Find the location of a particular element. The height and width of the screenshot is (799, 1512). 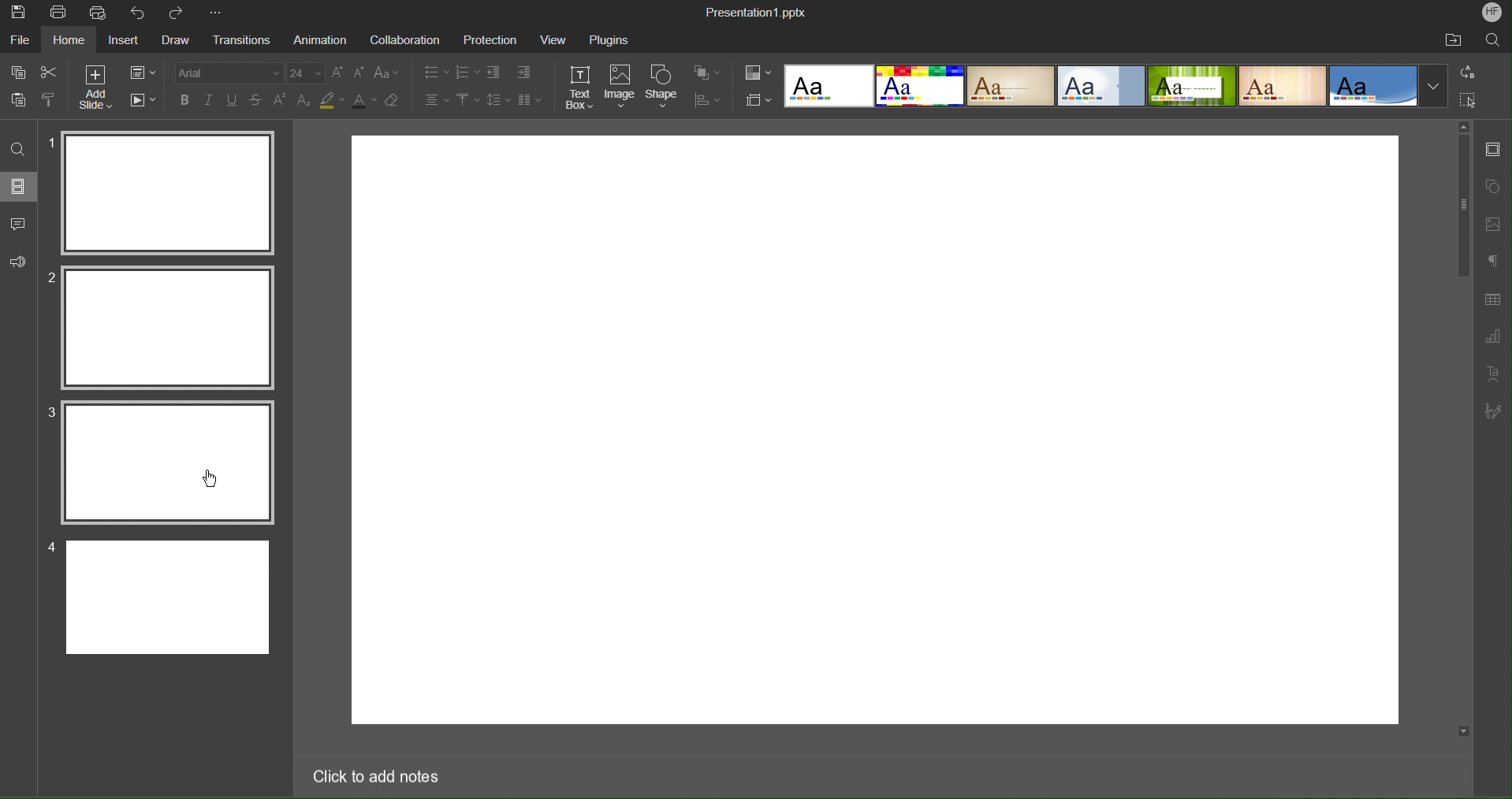

Selected Slide is located at coordinates (166, 463).